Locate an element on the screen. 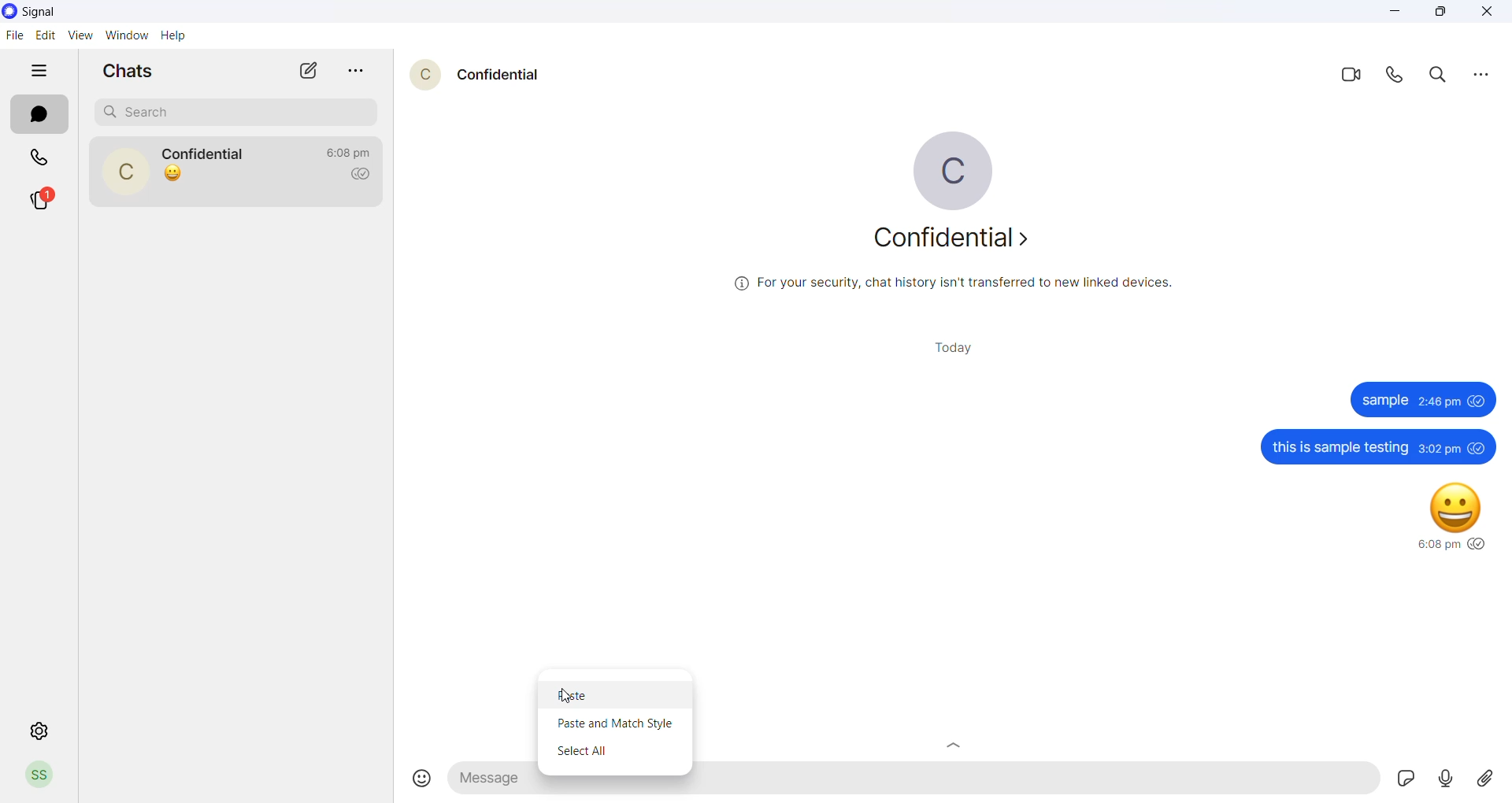  sticker is located at coordinates (1406, 777).